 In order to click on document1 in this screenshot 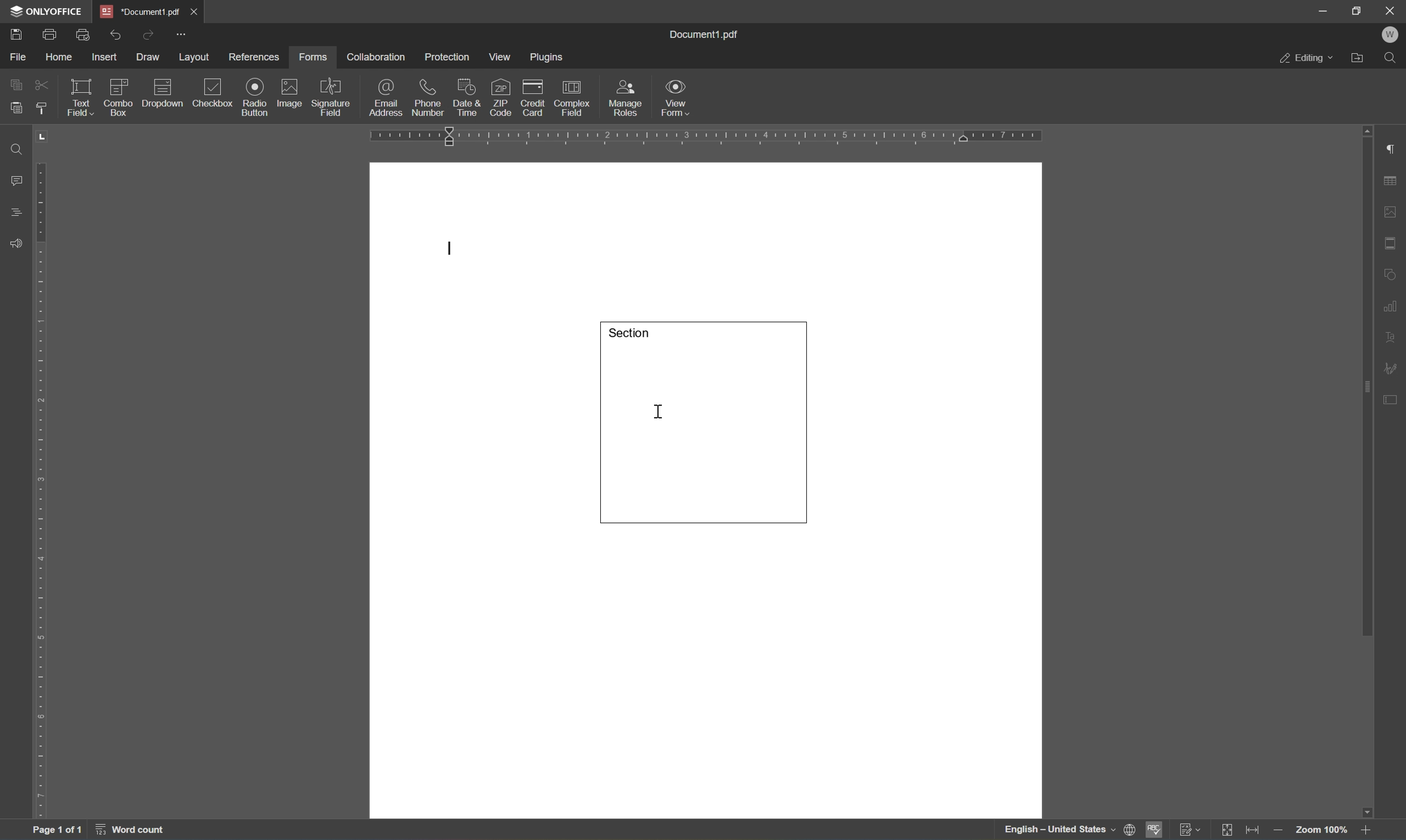, I will do `click(142, 12)`.